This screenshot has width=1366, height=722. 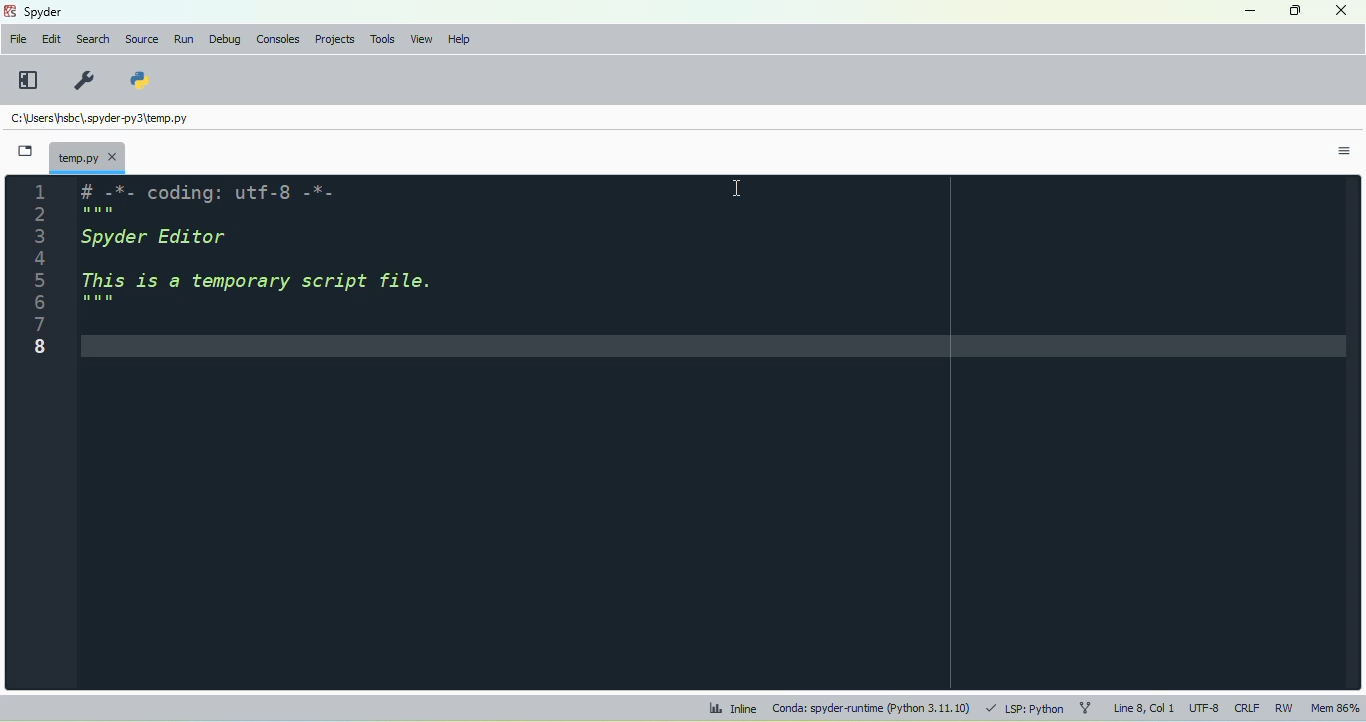 What do you see at coordinates (225, 39) in the screenshot?
I see `debug` at bounding box center [225, 39].